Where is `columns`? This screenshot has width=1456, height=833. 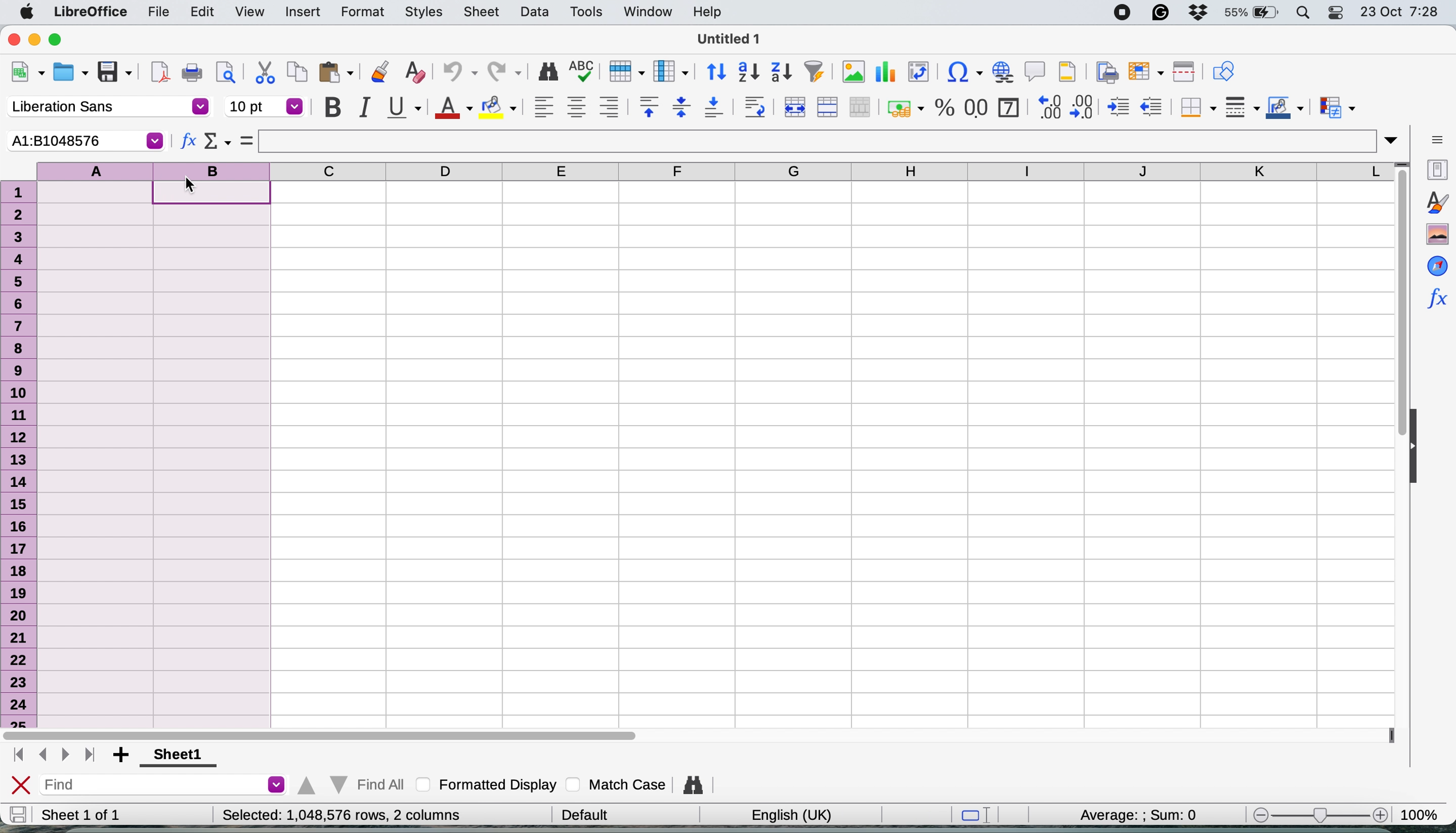
columns is located at coordinates (832, 173).